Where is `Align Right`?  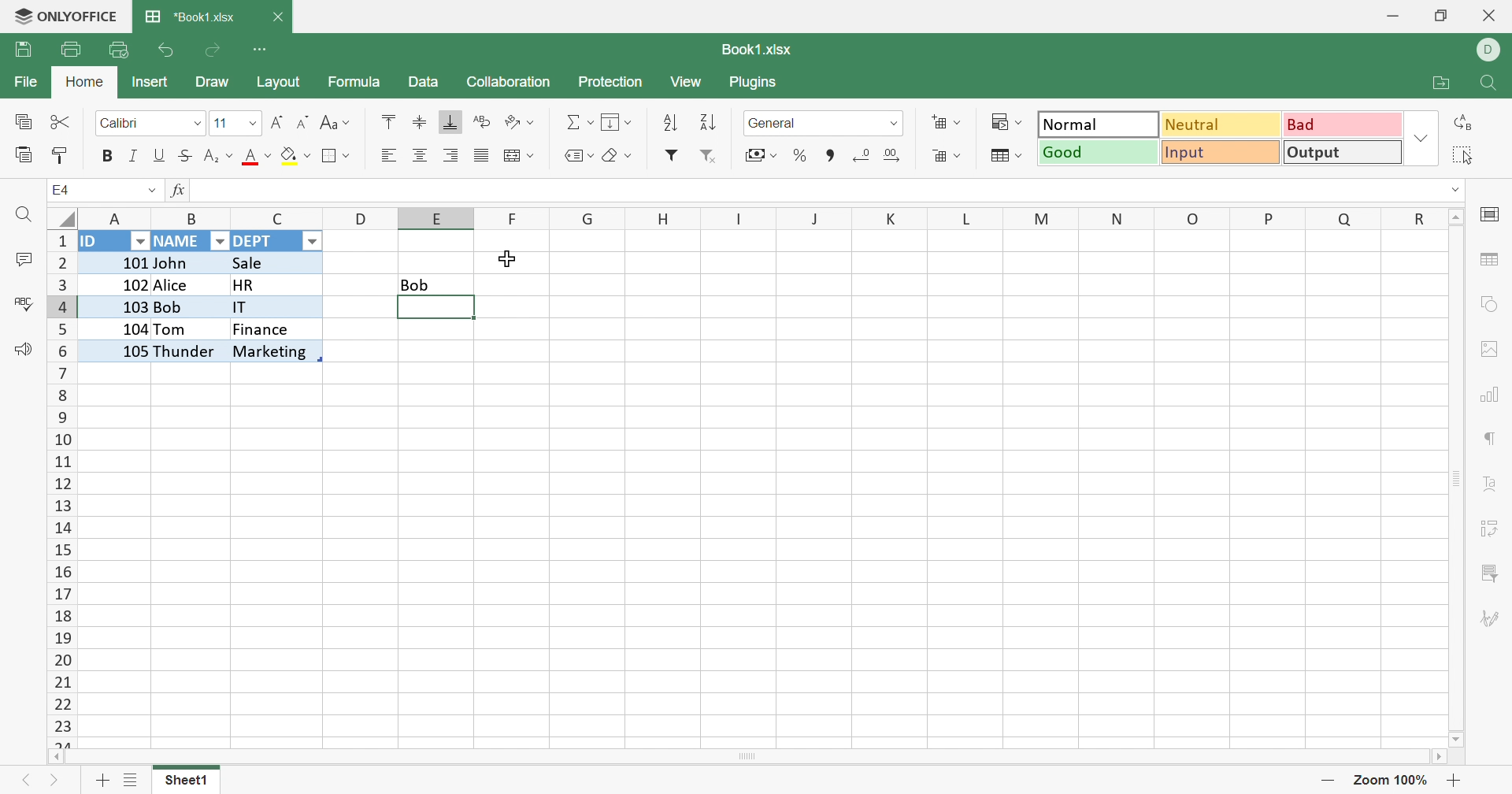
Align Right is located at coordinates (451, 155).